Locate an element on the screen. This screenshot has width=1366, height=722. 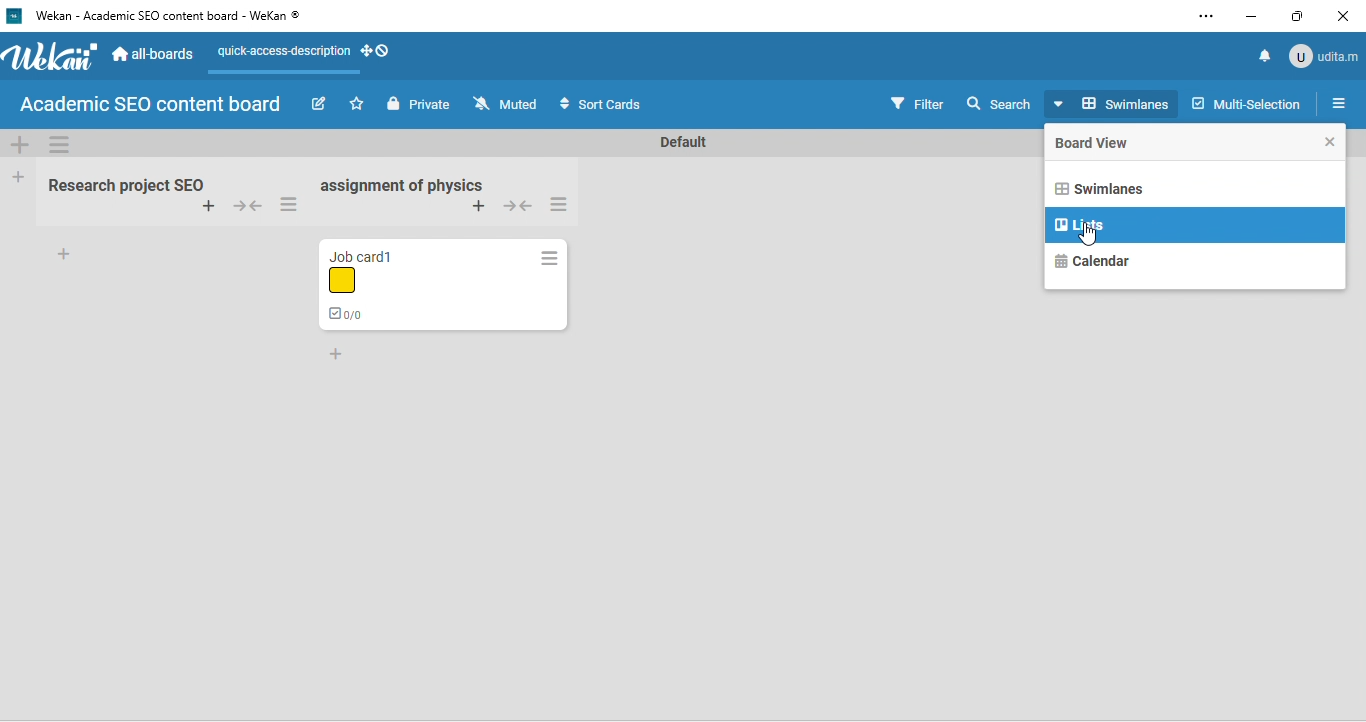
add is located at coordinates (339, 355).